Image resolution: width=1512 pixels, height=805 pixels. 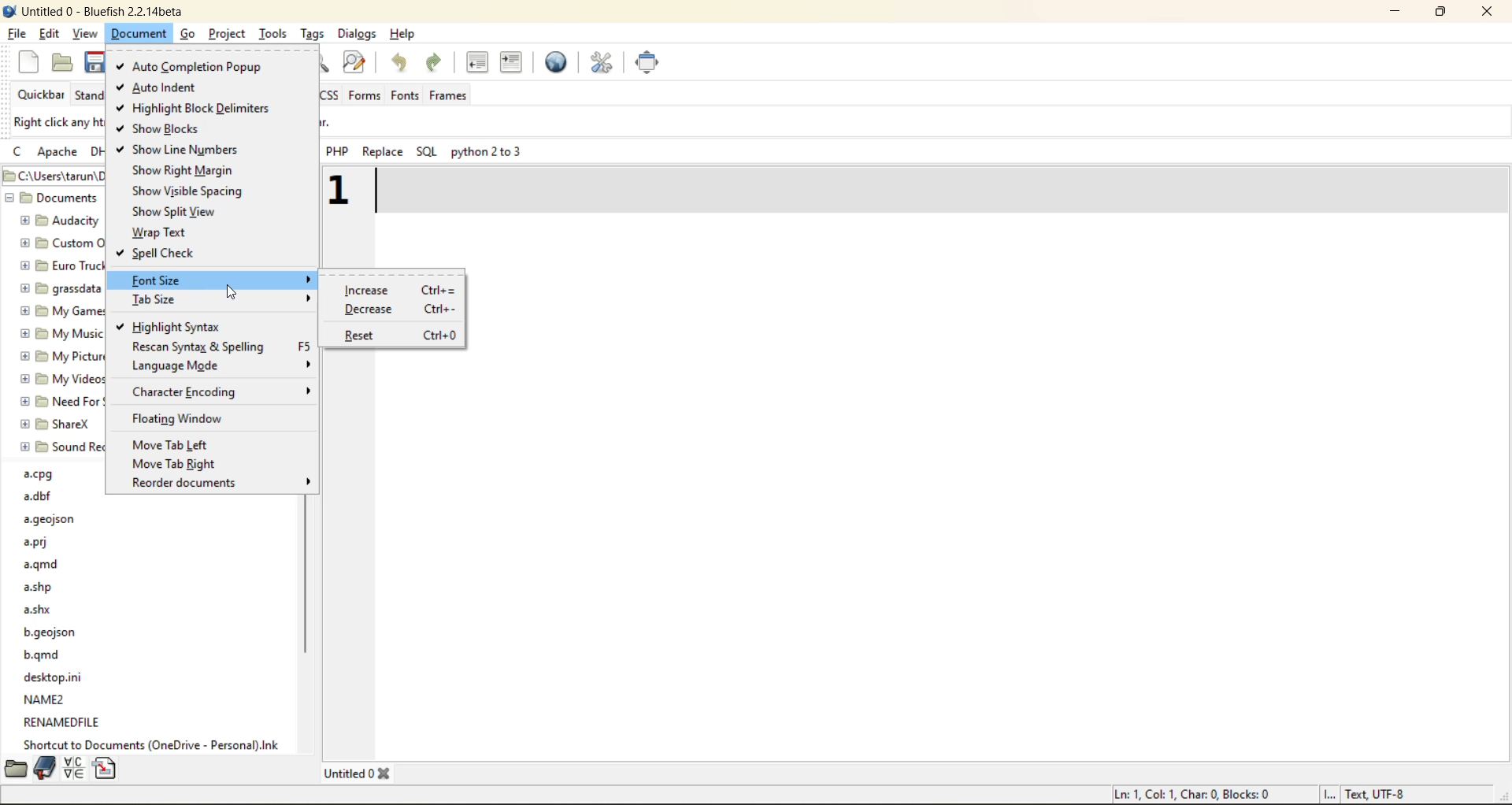 I want to click on css, so click(x=331, y=95).